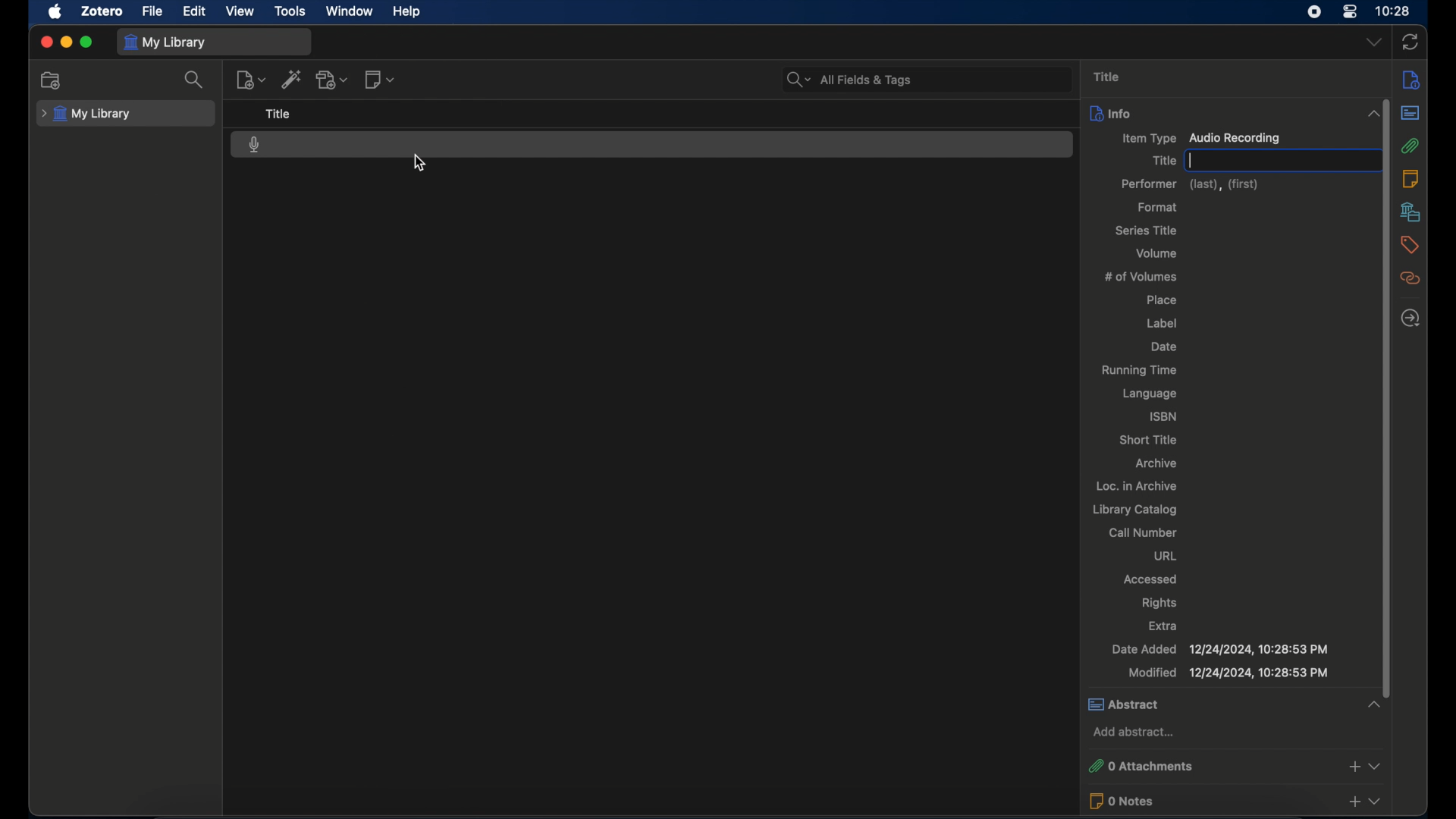 The width and height of the screenshot is (1456, 819). What do you see at coordinates (1411, 80) in the screenshot?
I see `info` at bounding box center [1411, 80].